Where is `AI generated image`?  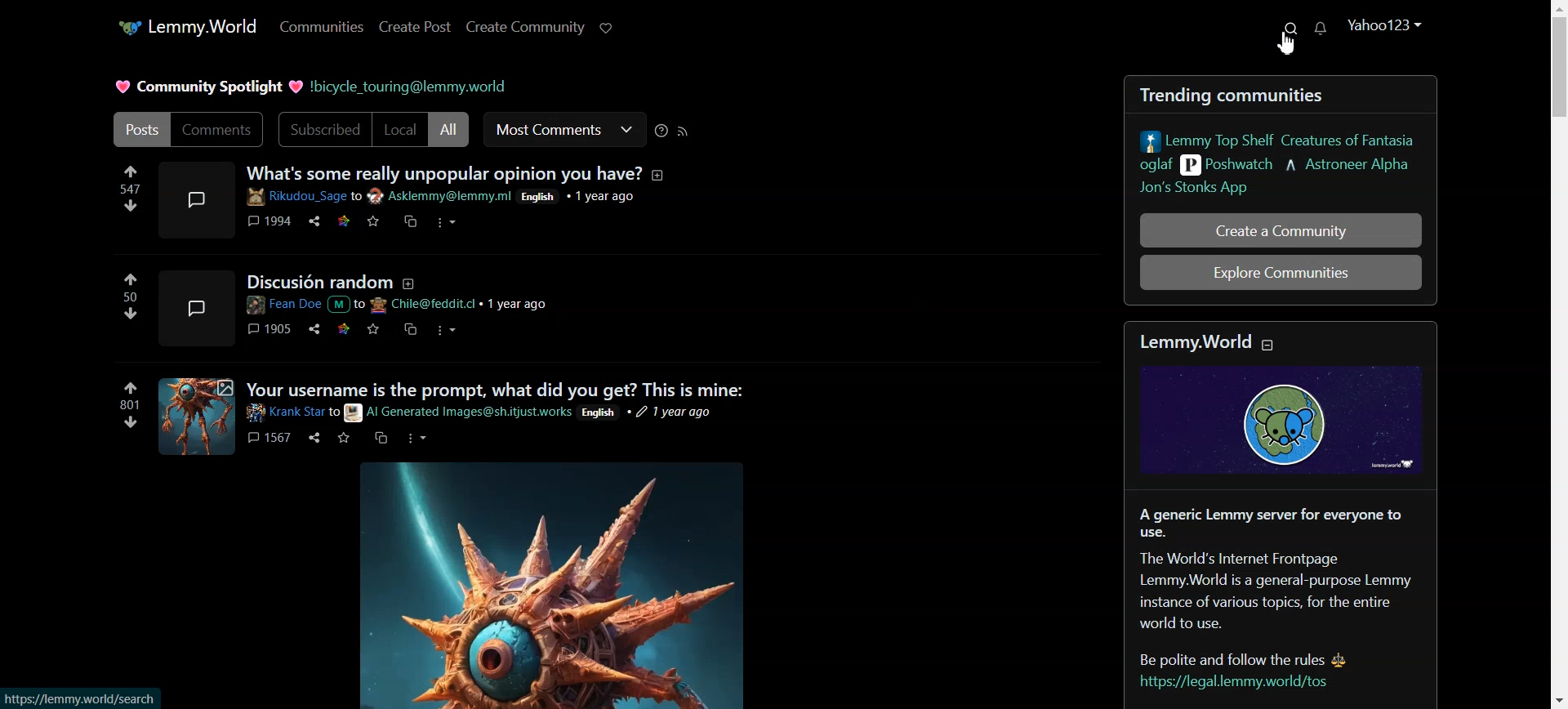
AI generated image is located at coordinates (543, 585).